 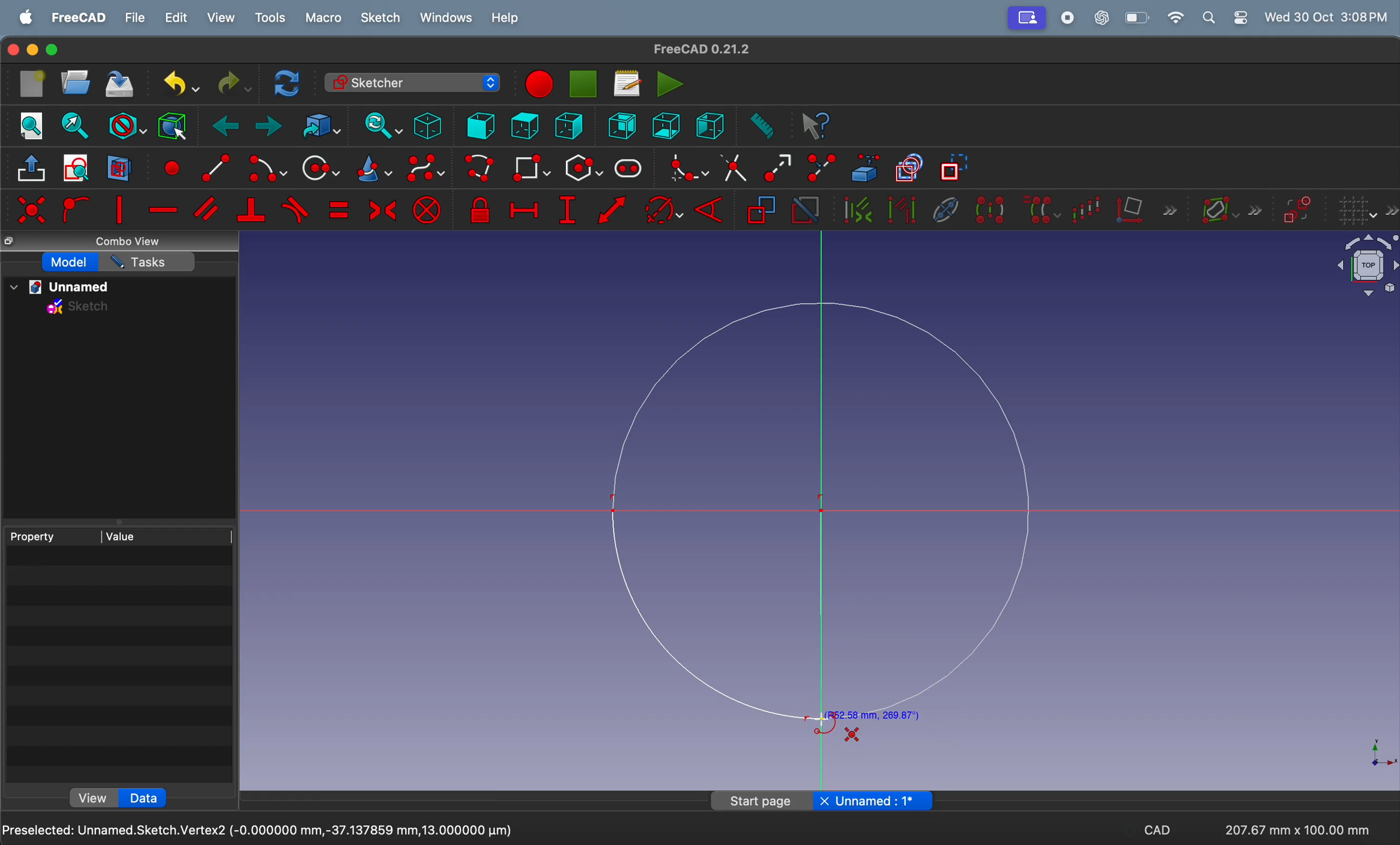 I want to click on constraint angle, so click(x=714, y=208).